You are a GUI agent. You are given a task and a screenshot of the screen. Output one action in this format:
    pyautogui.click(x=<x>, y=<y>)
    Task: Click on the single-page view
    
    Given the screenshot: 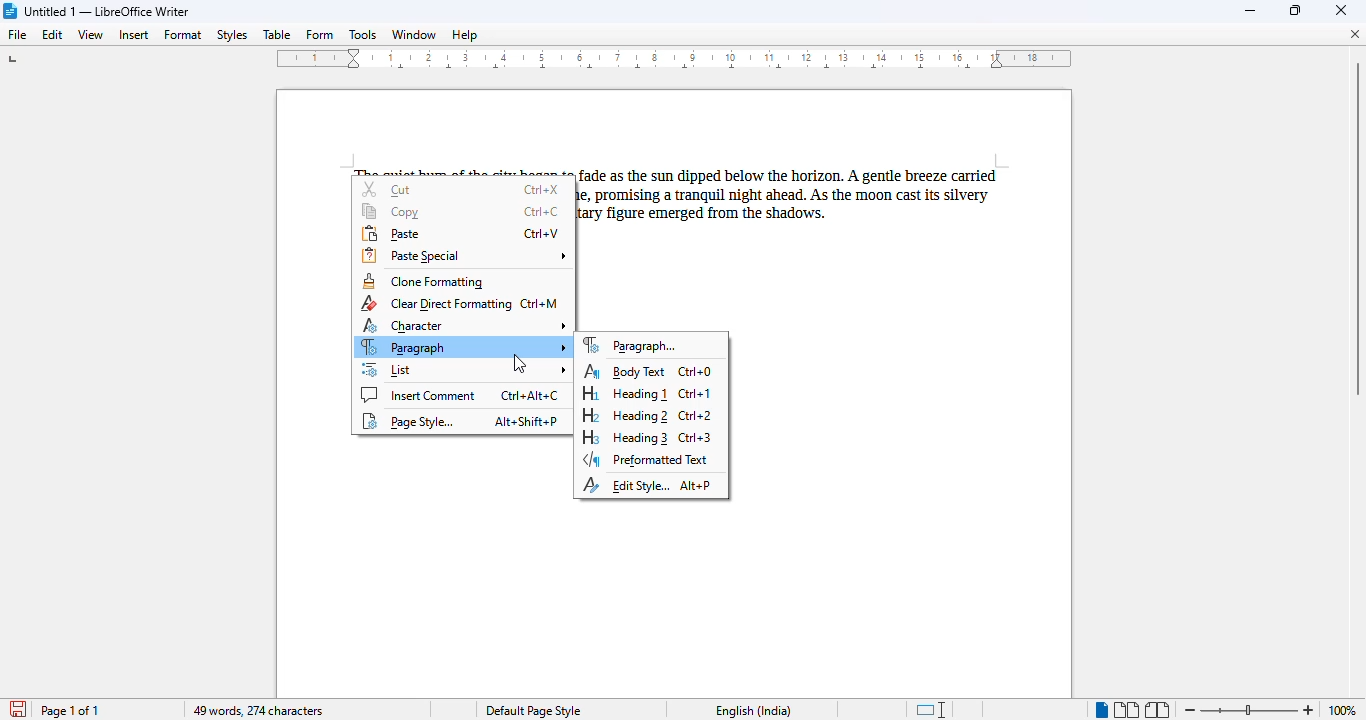 What is the action you would take?
    pyautogui.click(x=1100, y=710)
    